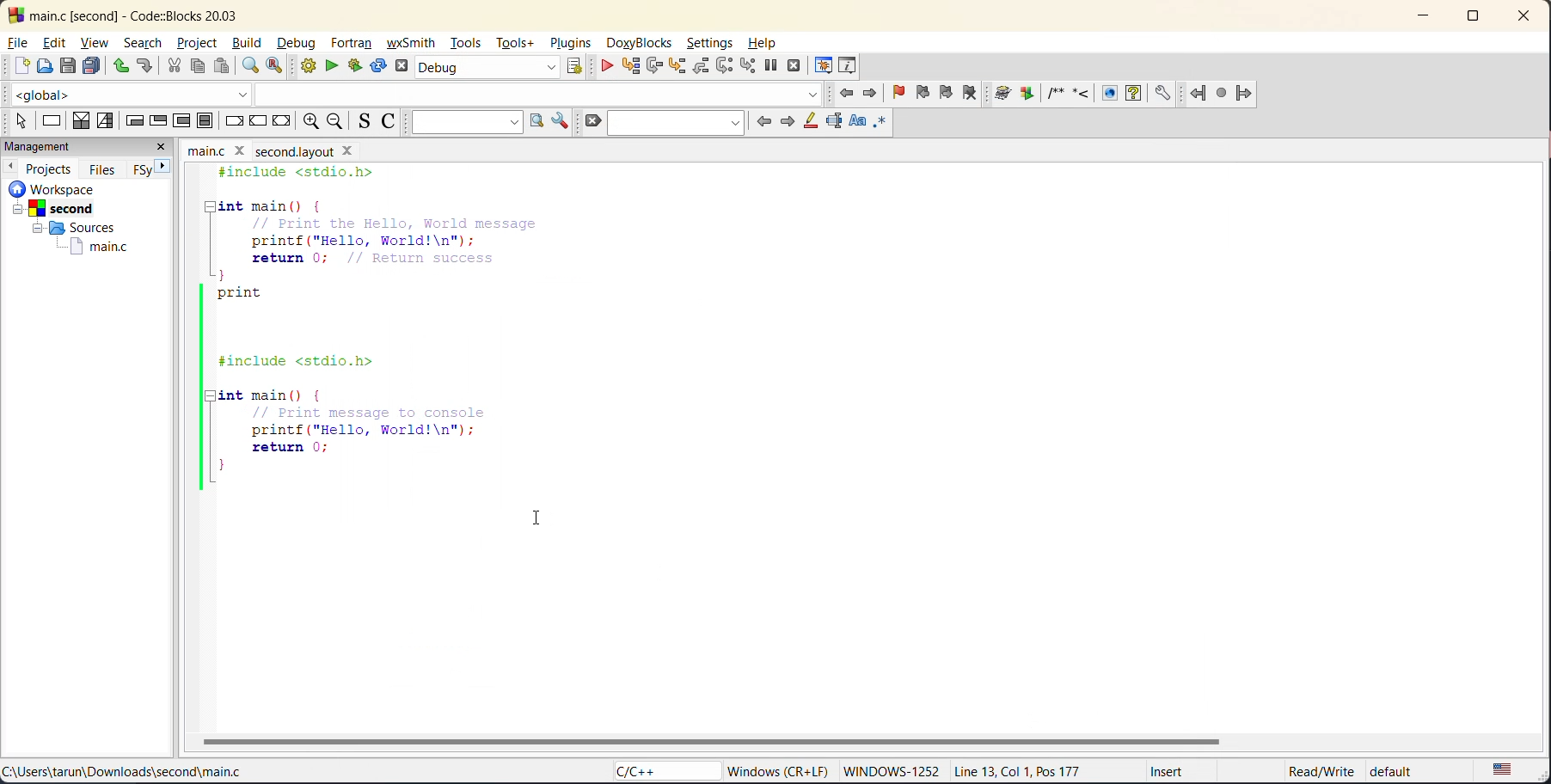 Image resolution: width=1551 pixels, height=784 pixels. Describe the element at coordinates (538, 520) in the screenshot. I see `cursor` at that location.